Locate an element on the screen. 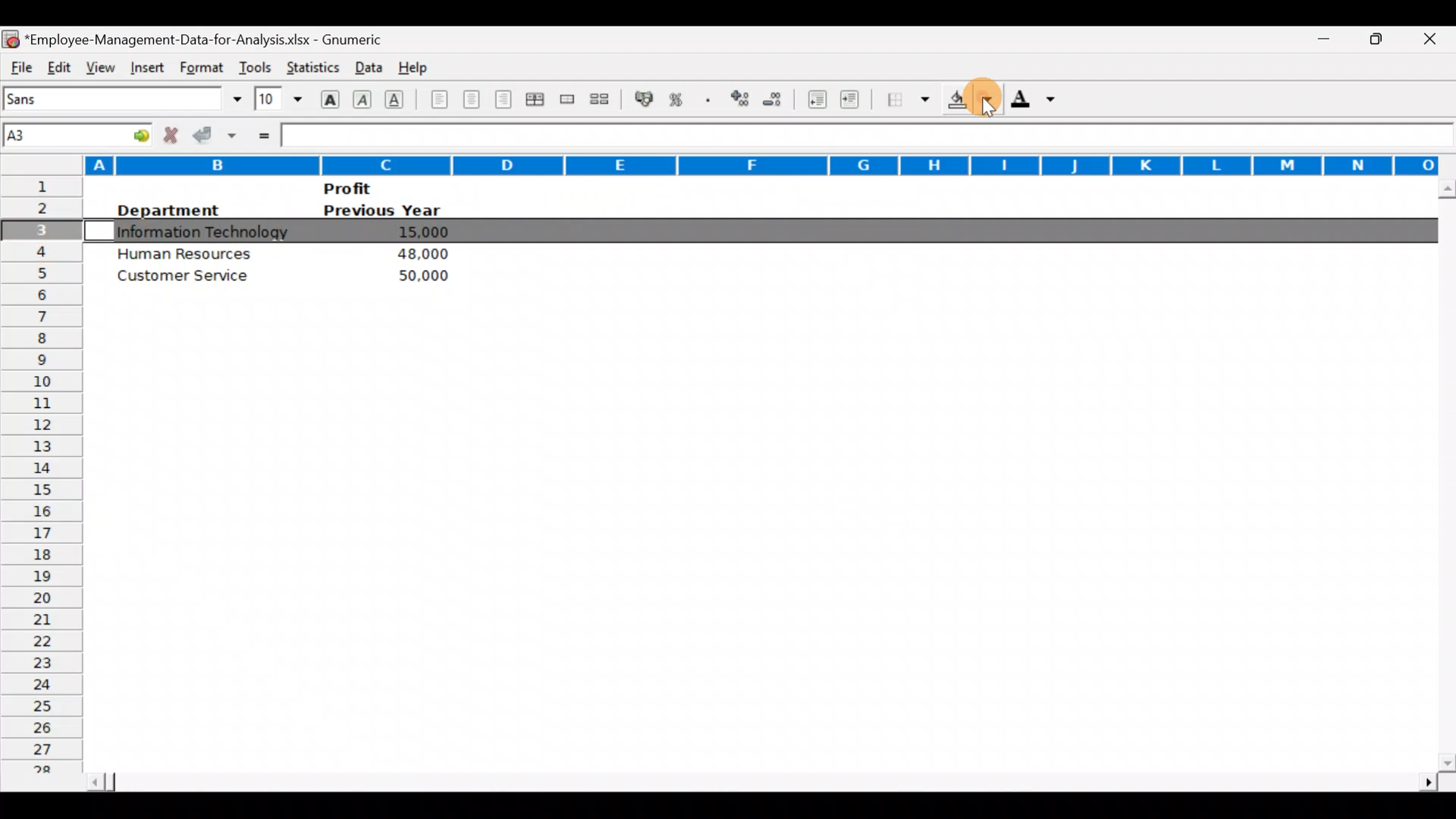 The height and width of the screenshot is (819, 1456). Scroll bar is located at coordinates (759, 777).